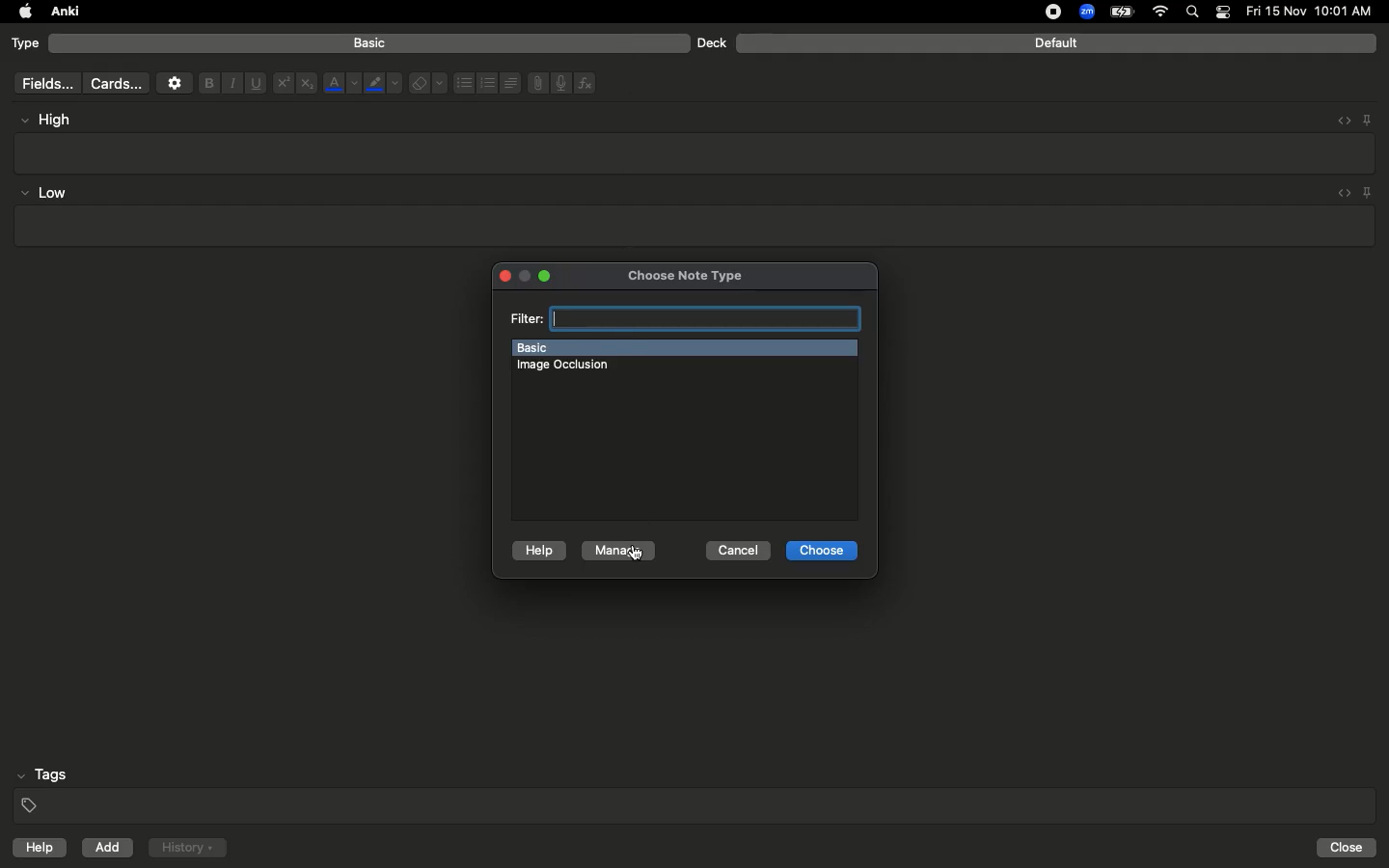 The image size is (1389, 868). What do you see at coordinates (1340, 194) in the screenshot?
I see `Embed` at bounding box center [1340, 194].